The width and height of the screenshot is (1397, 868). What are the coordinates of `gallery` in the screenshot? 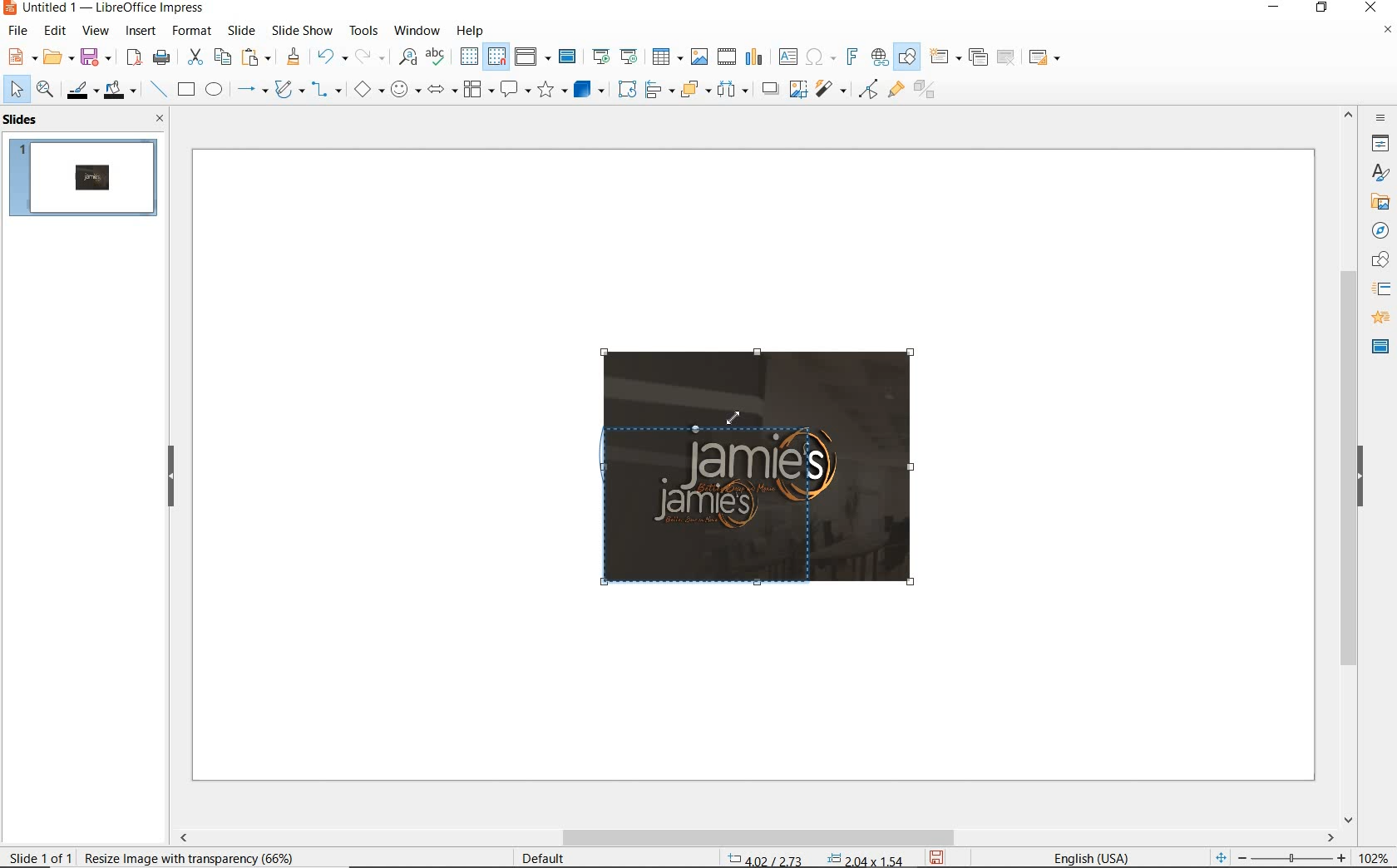 It's located at (1377, 201).